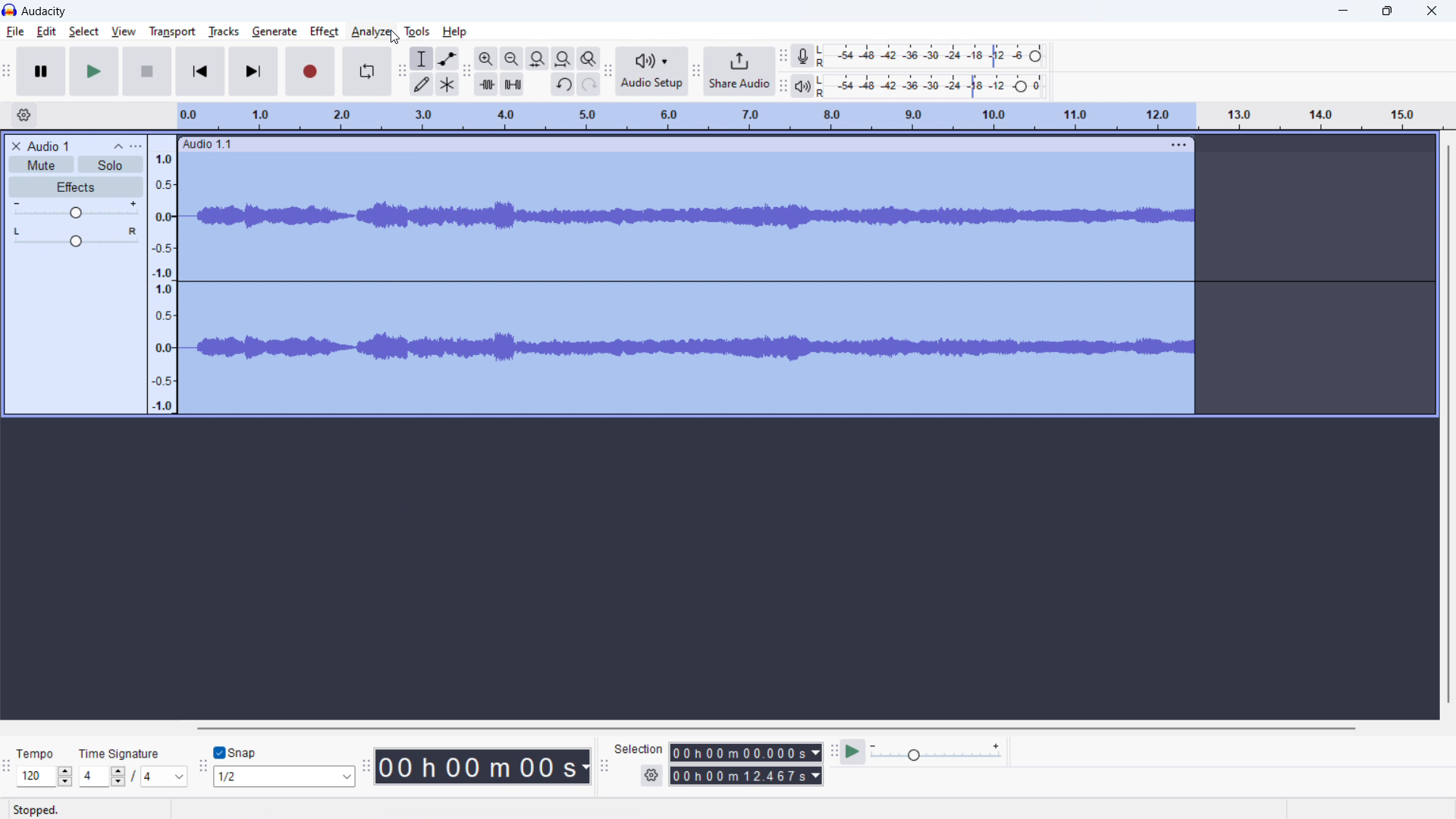  Describe the element at coordinates (310, 72) in the screenshot. I see `record` at that location.